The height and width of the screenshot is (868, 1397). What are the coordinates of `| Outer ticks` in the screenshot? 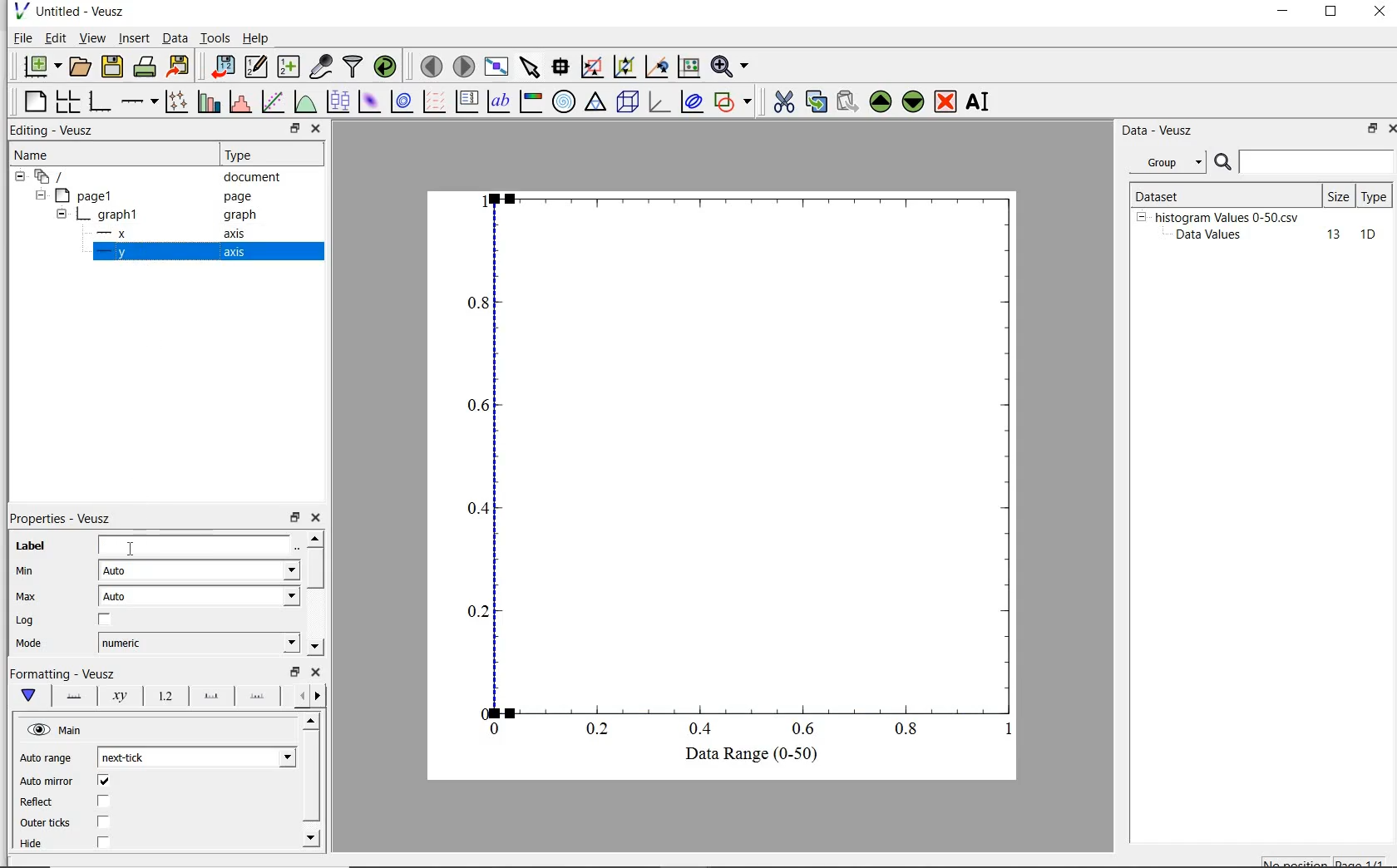 It's located at (47, 822).